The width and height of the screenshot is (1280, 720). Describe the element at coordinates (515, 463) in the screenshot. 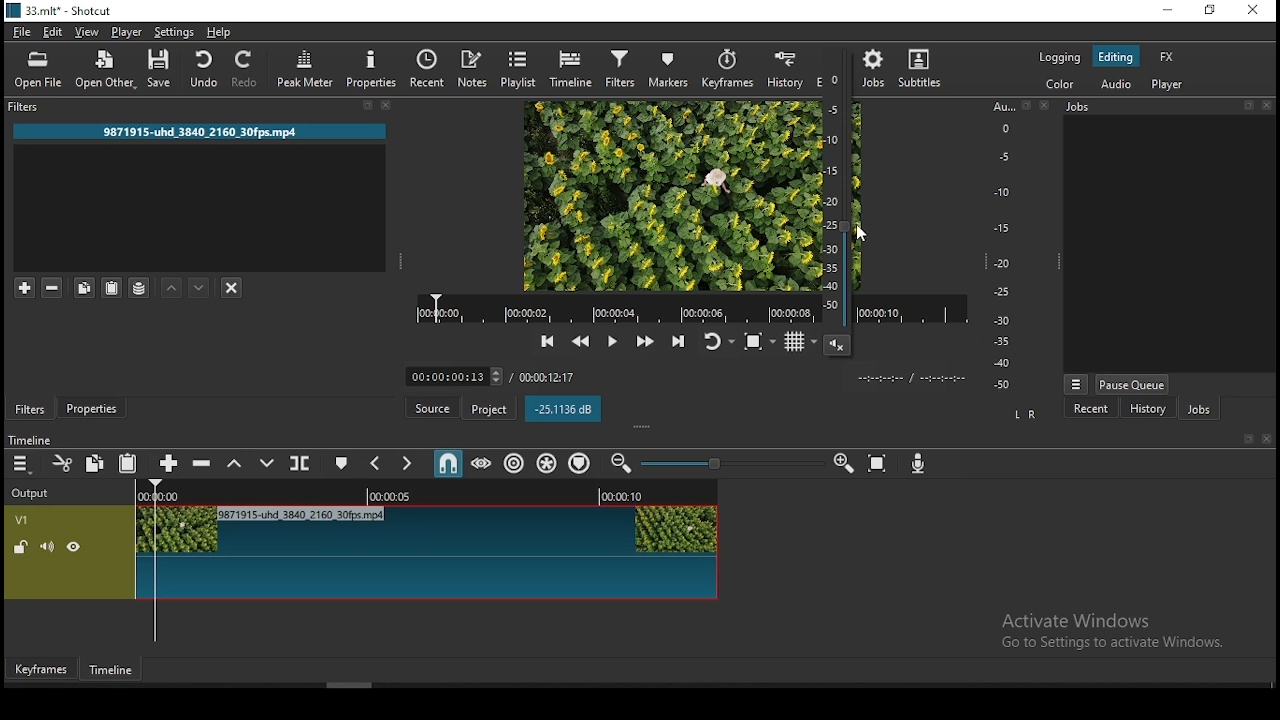

I see `ripple` at that location.